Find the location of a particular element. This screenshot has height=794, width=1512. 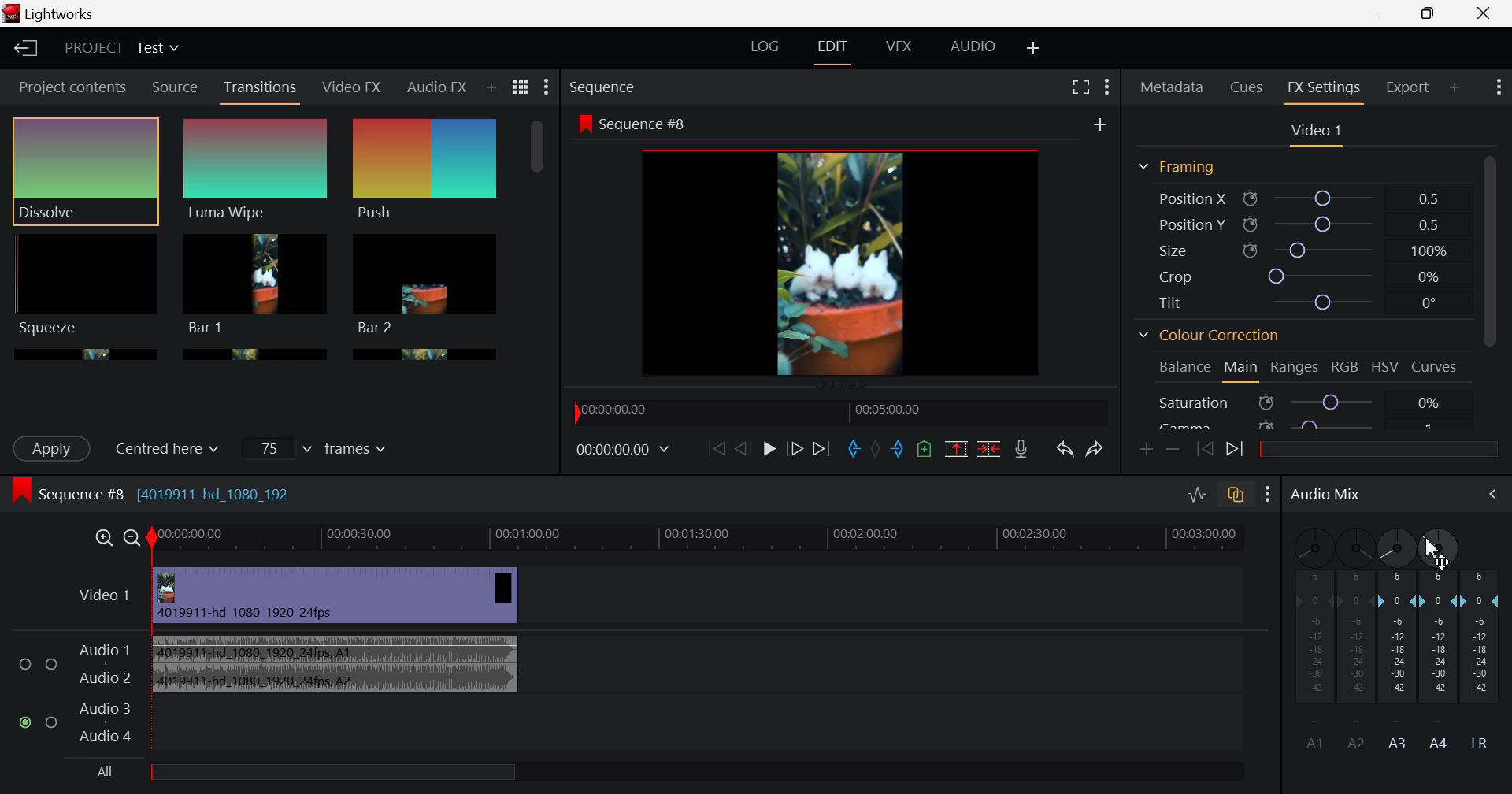

DRAG_TO Cursor Movement Adjusted Pan to Left is located at coordinates (1440, 546).